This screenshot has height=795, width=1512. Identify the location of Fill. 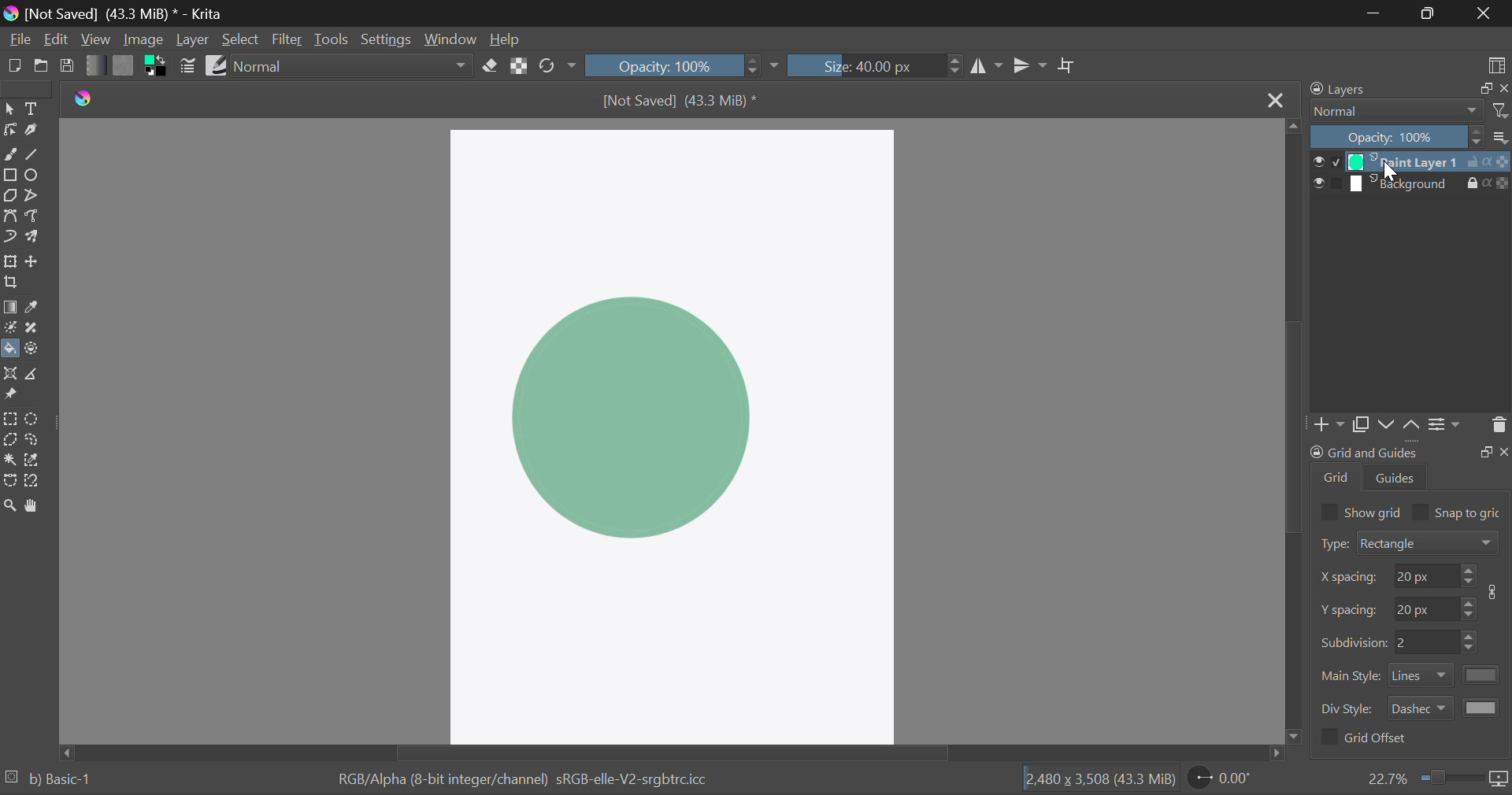
(9, 349).